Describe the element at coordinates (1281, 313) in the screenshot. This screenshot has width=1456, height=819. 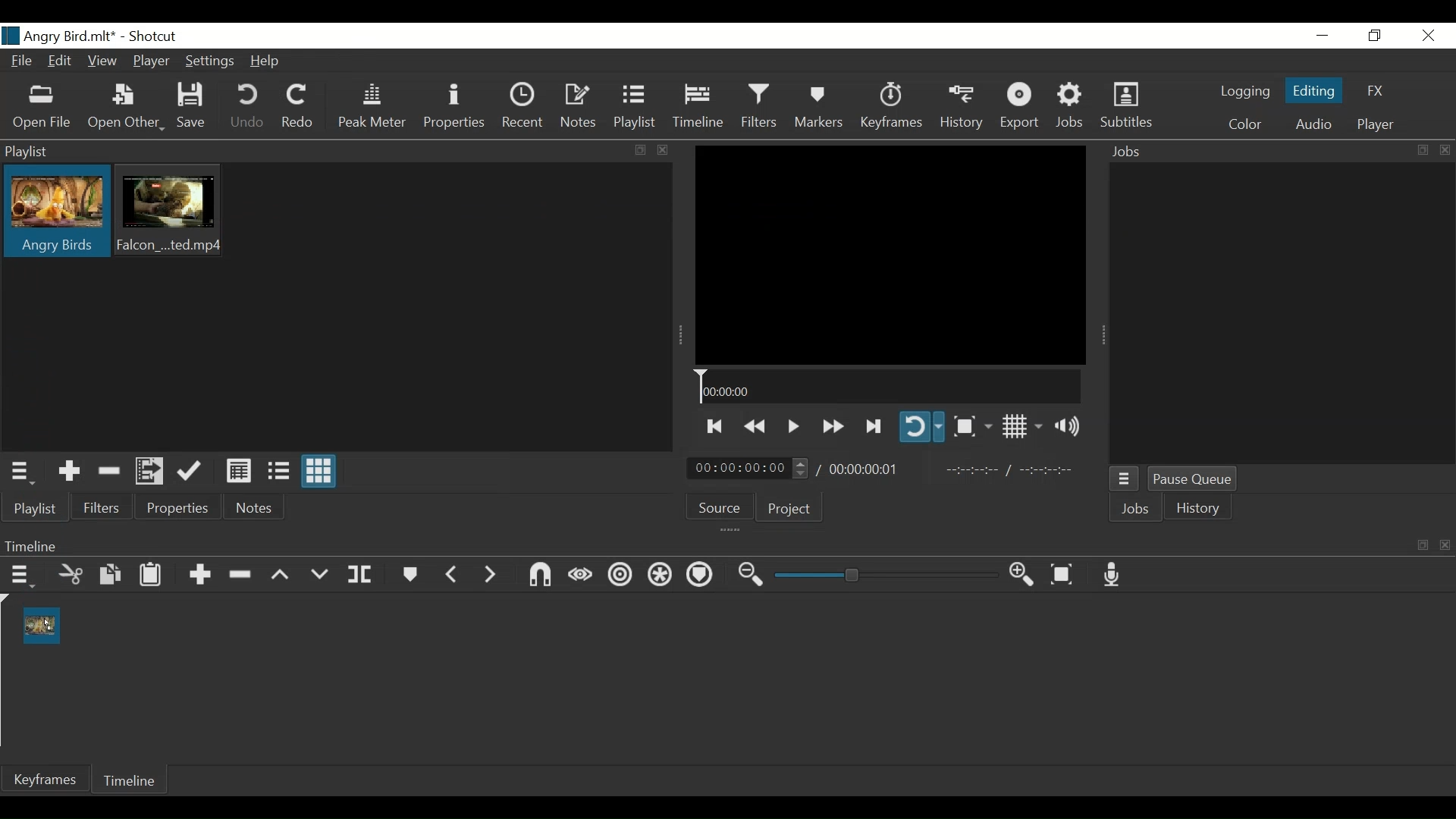
I see `Jobs Panel` at that location.